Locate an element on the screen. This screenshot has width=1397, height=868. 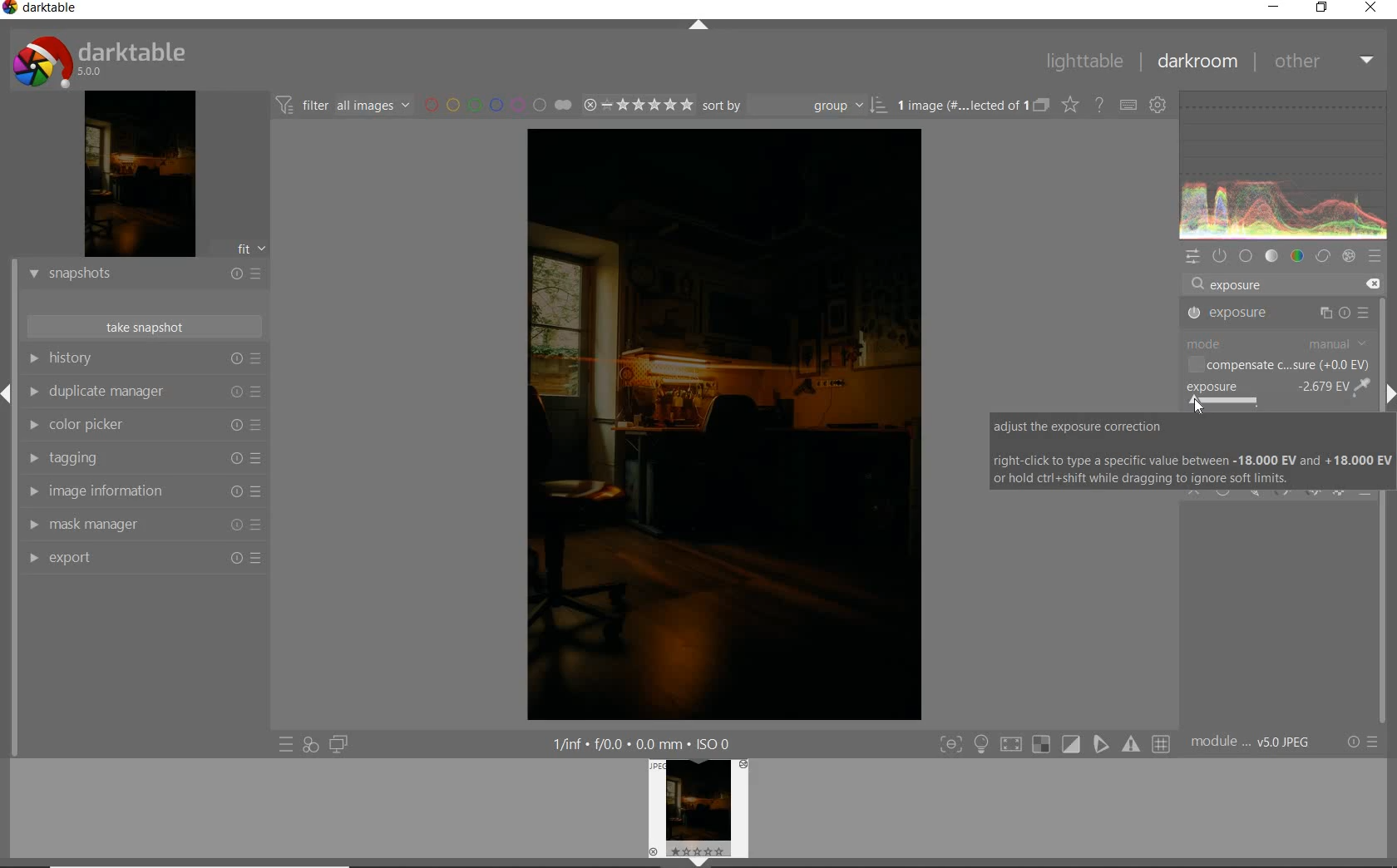
color is located at coordinates (1298, 255).